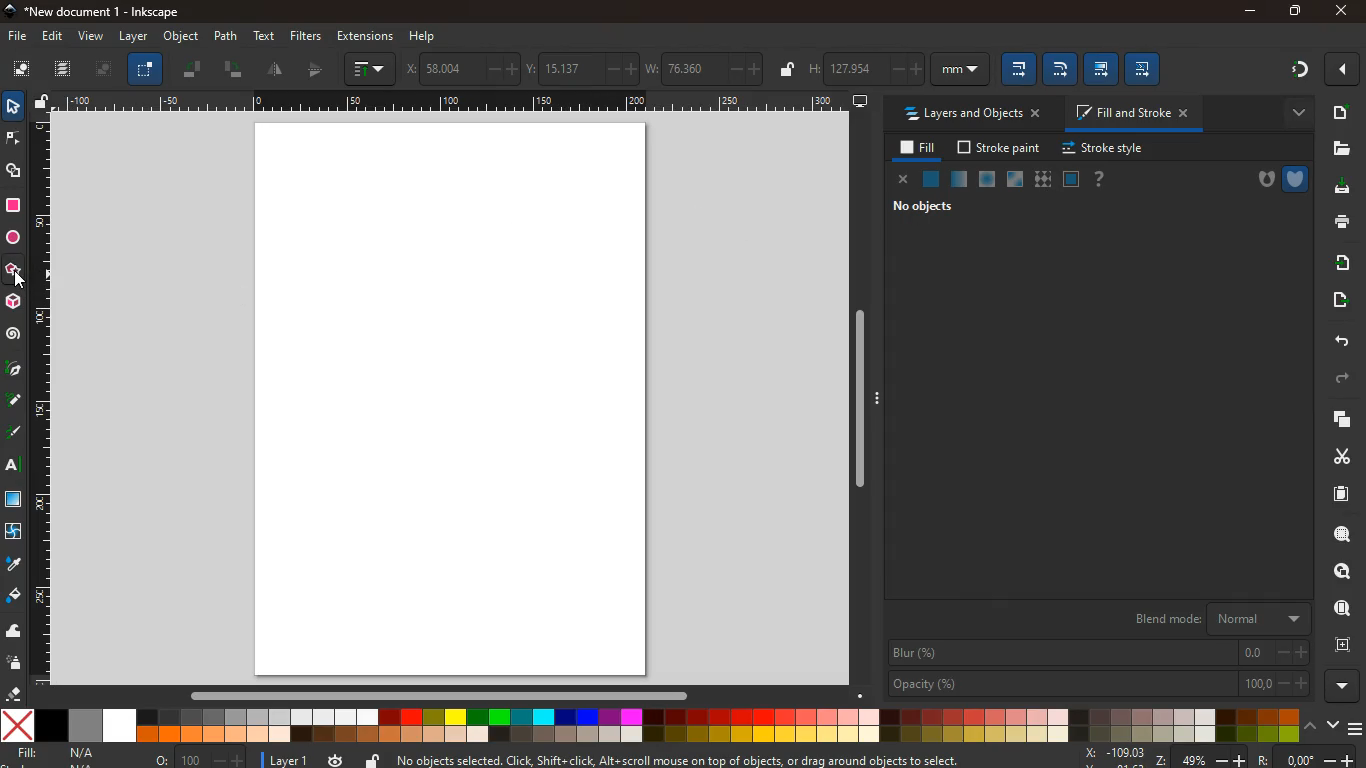 The image size is (1366, 768). What do you see at coordinates (1098, 685) in the screenshot?
I see `opacity` at bounding box center [1098, 685].